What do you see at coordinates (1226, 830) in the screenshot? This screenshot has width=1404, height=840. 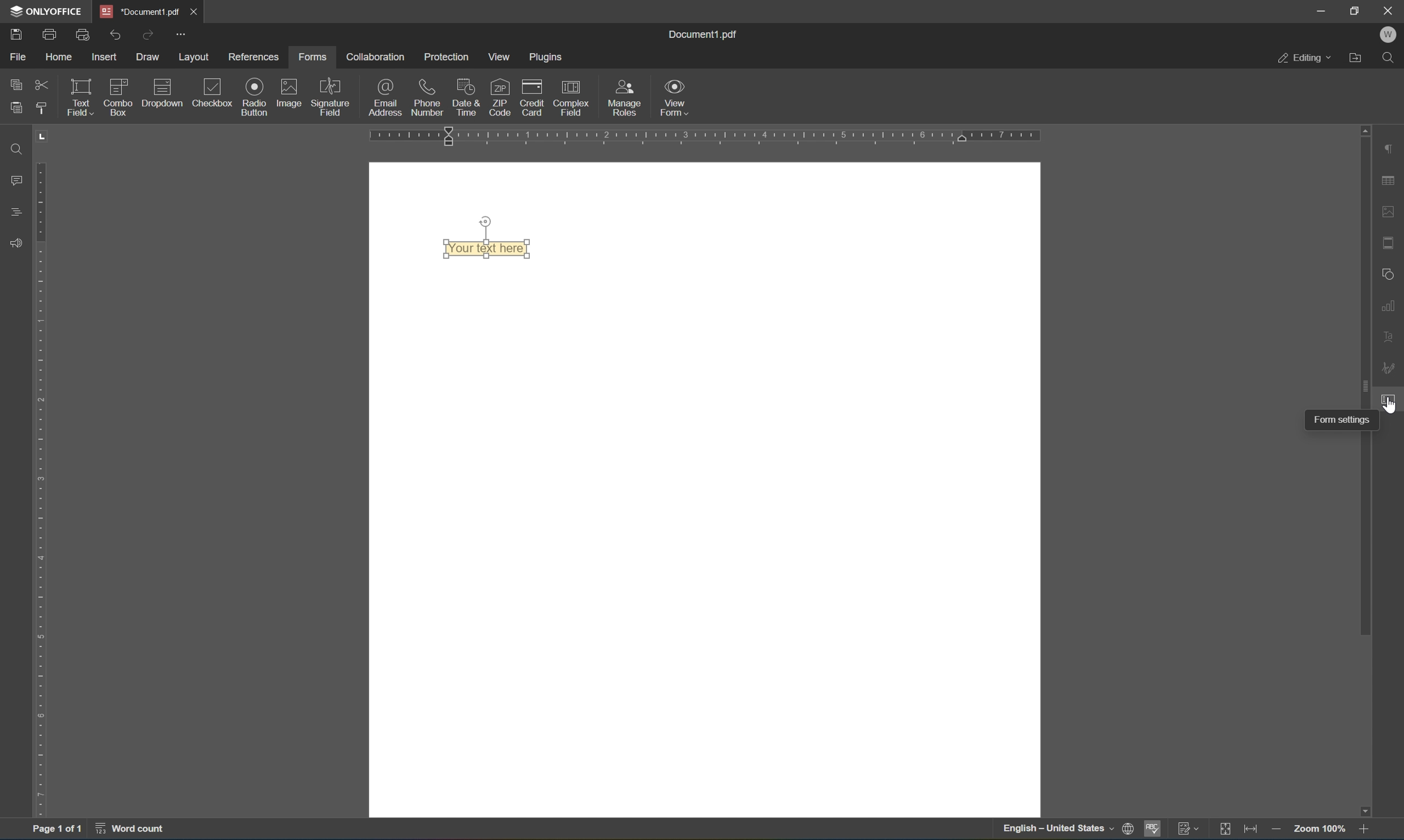 I see `fit to slide` at bounding box center [1226, 830].